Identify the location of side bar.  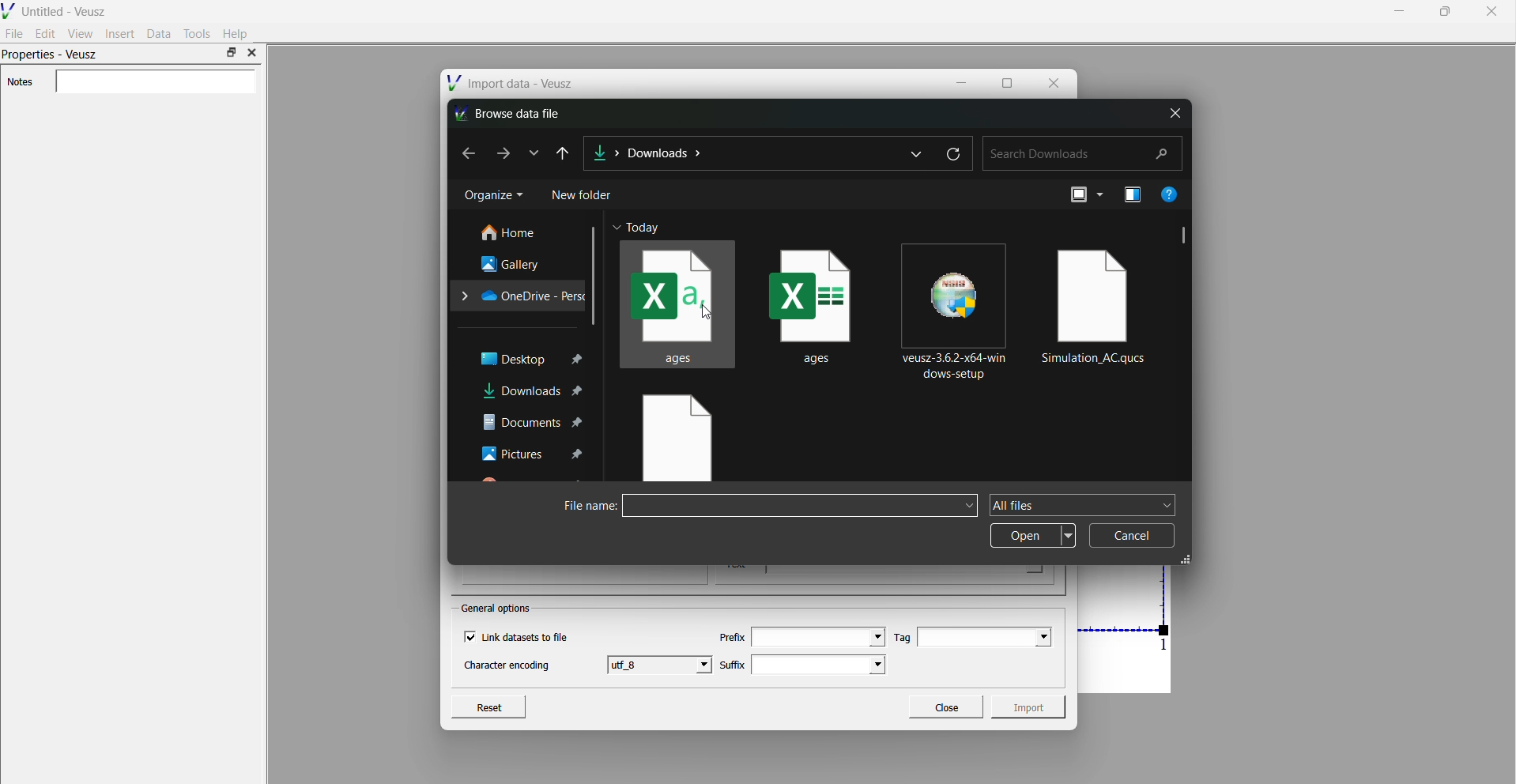
(1185, 238).